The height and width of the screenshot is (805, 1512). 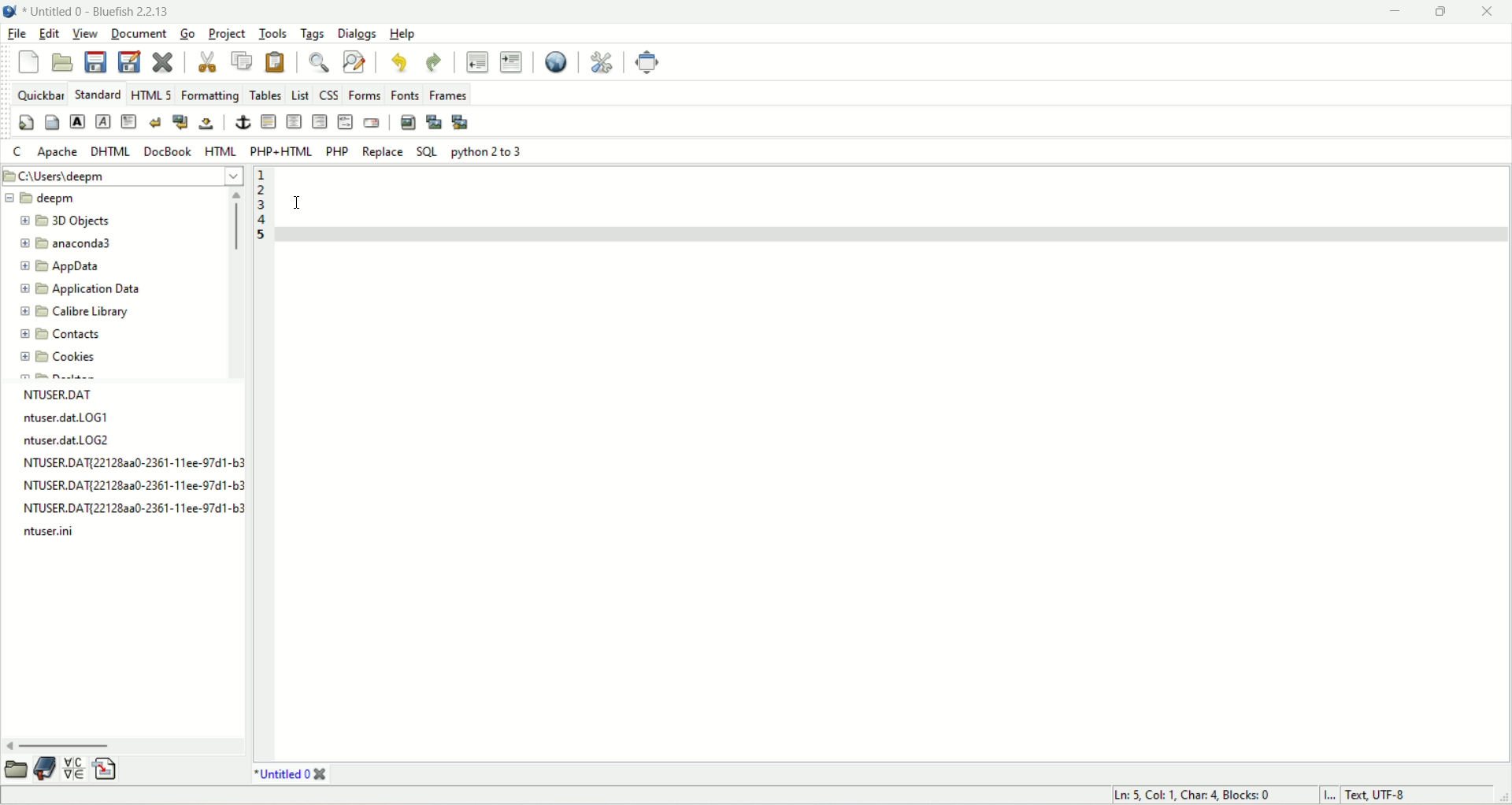 I want to click on file name, so click(x=64, y=395).